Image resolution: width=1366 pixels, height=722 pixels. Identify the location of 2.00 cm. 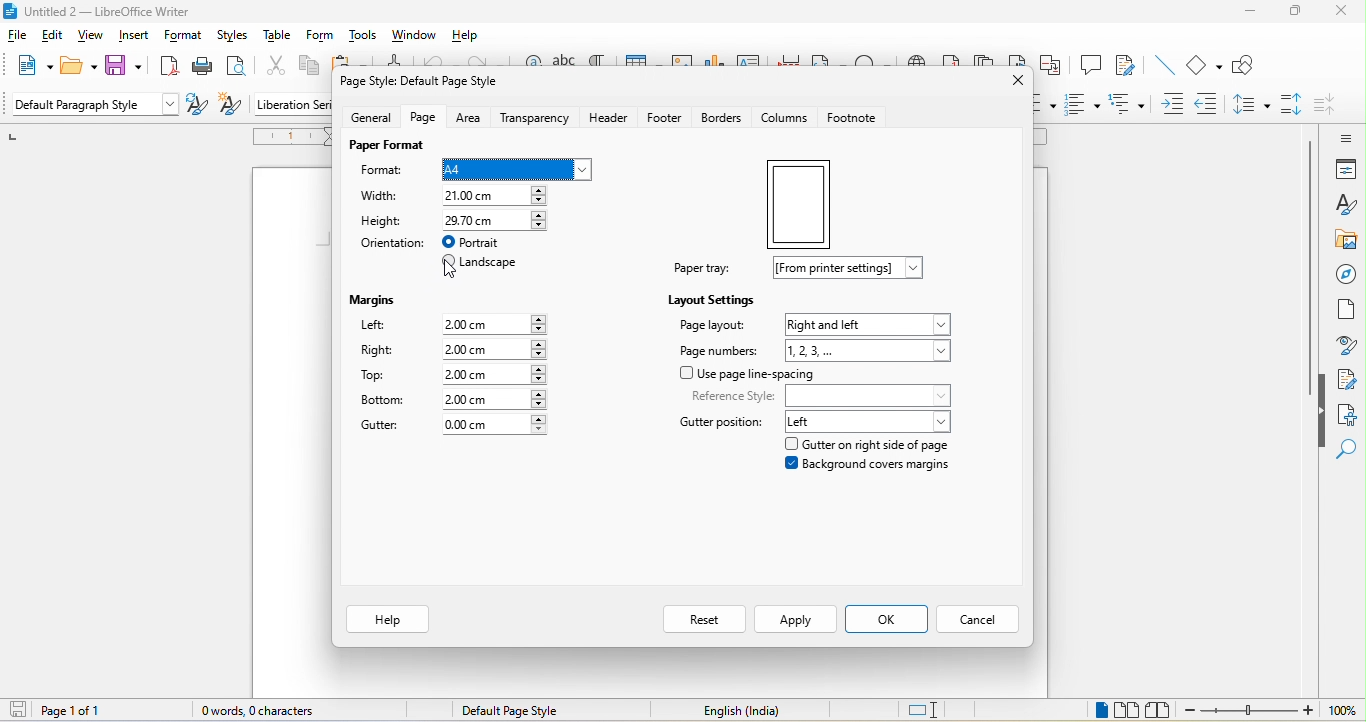
(496, 348).